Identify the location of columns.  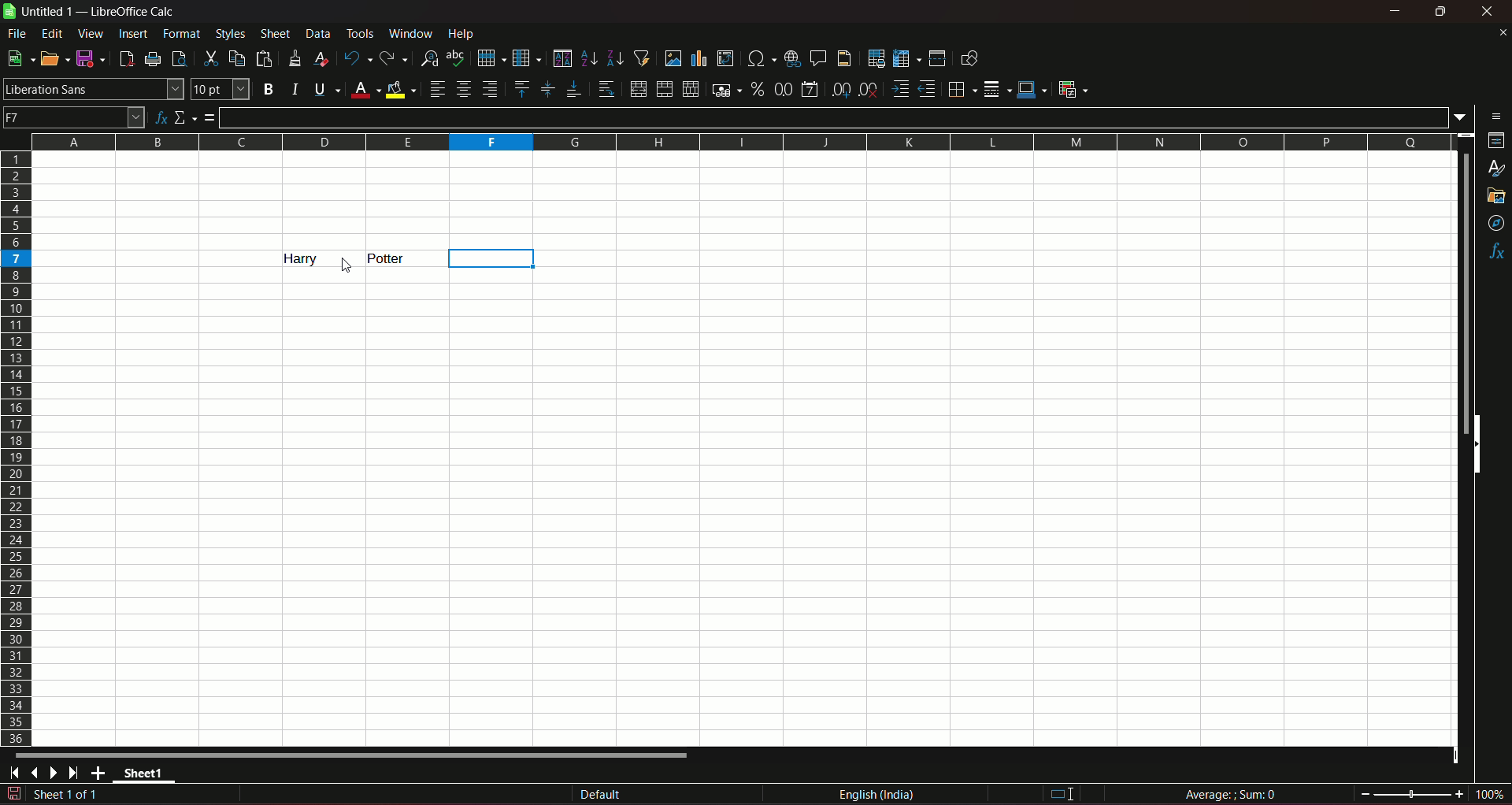
(738, 139).